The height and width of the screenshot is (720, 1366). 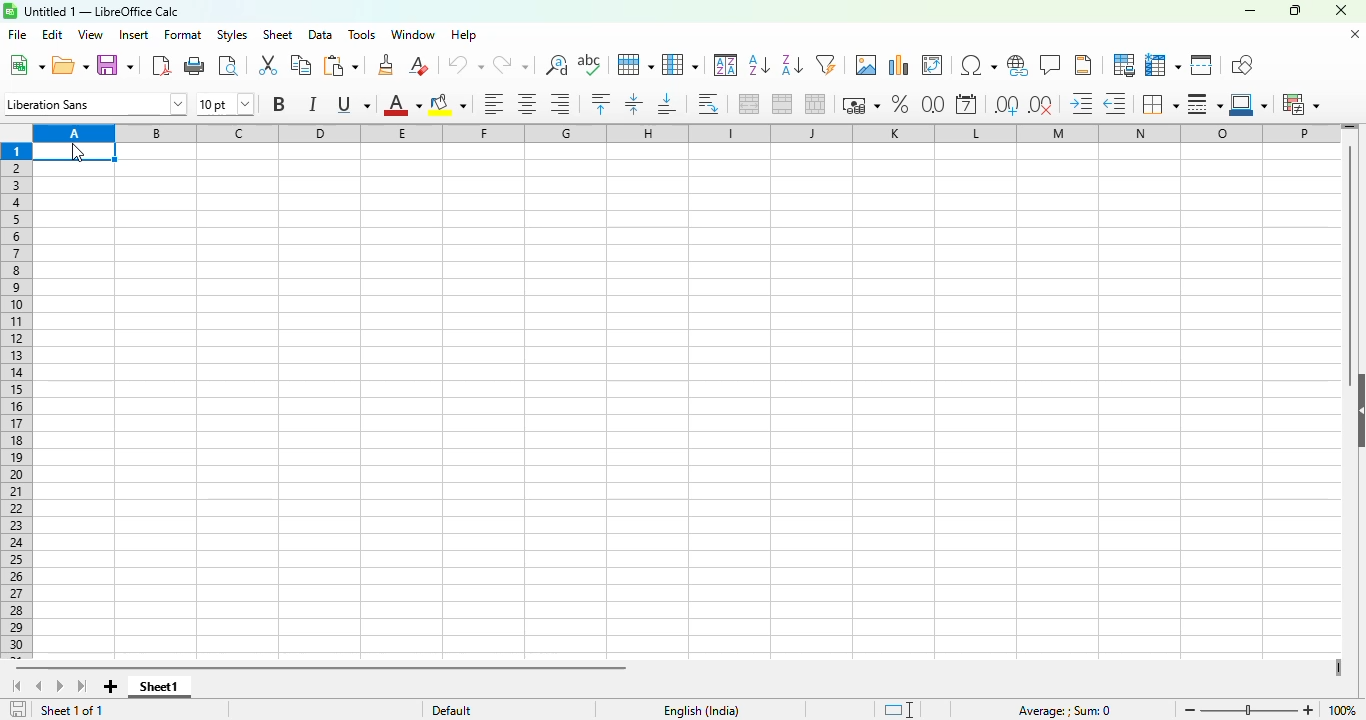 I want to click on insert special characters, so click(x=978, y=65).